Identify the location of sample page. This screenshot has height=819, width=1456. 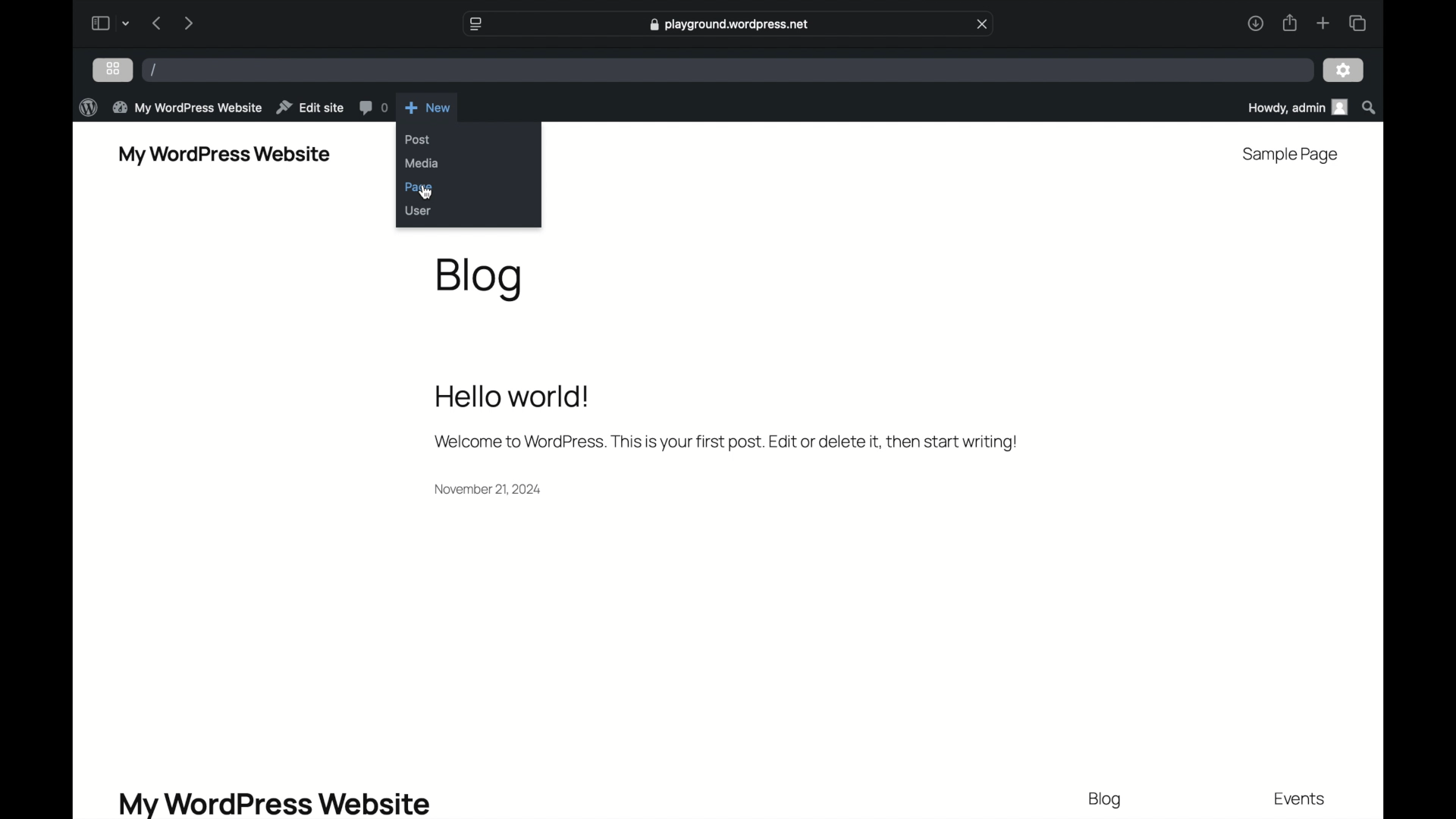
(1288, 154).